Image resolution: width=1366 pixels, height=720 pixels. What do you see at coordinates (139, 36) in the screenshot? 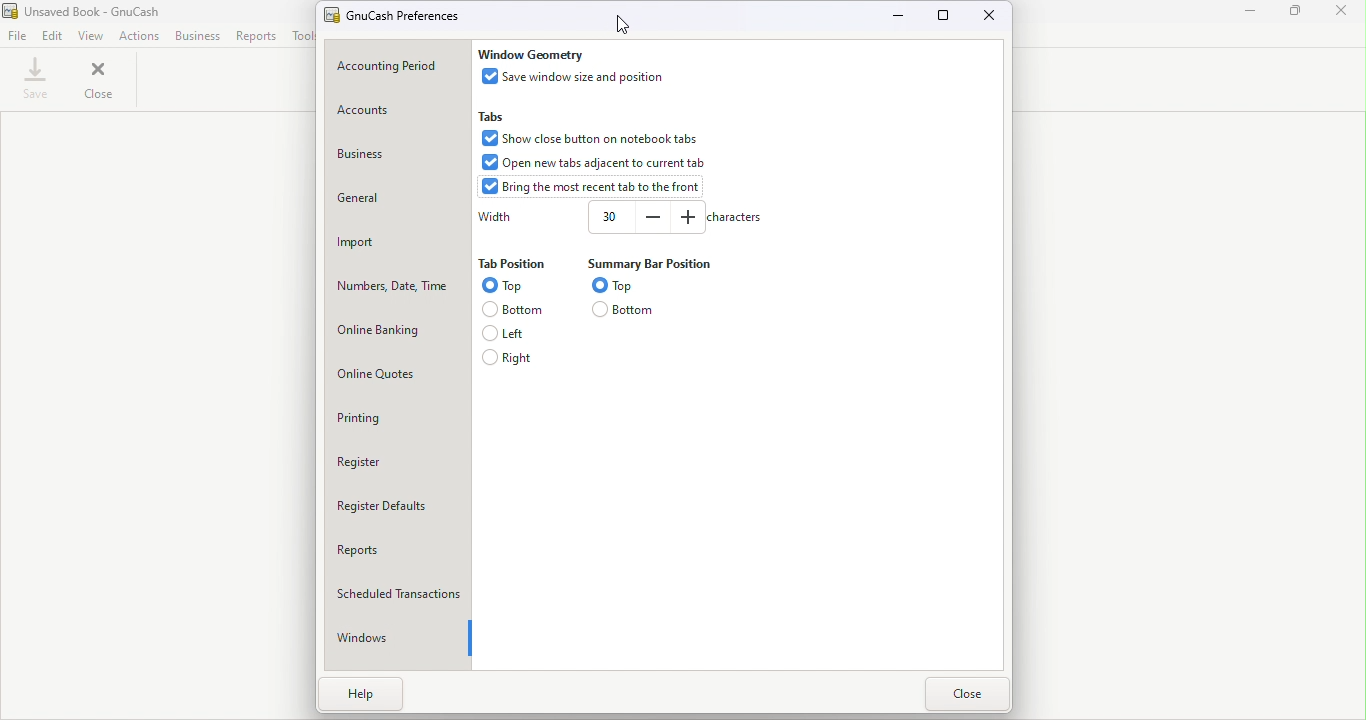
I see `Actions` at bounding box center [139, 36].